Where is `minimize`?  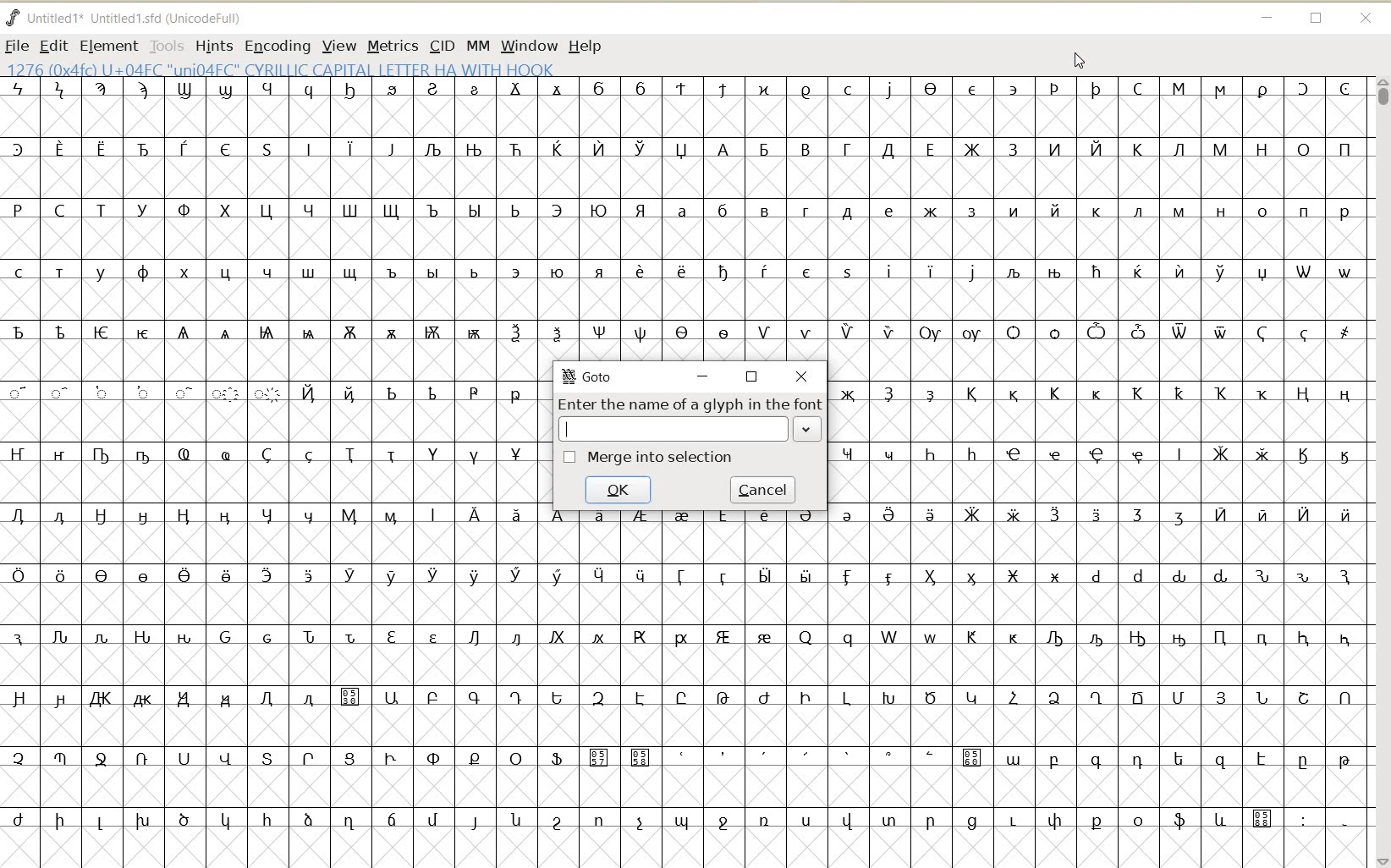 minimize is located at coordinates (701, 377).